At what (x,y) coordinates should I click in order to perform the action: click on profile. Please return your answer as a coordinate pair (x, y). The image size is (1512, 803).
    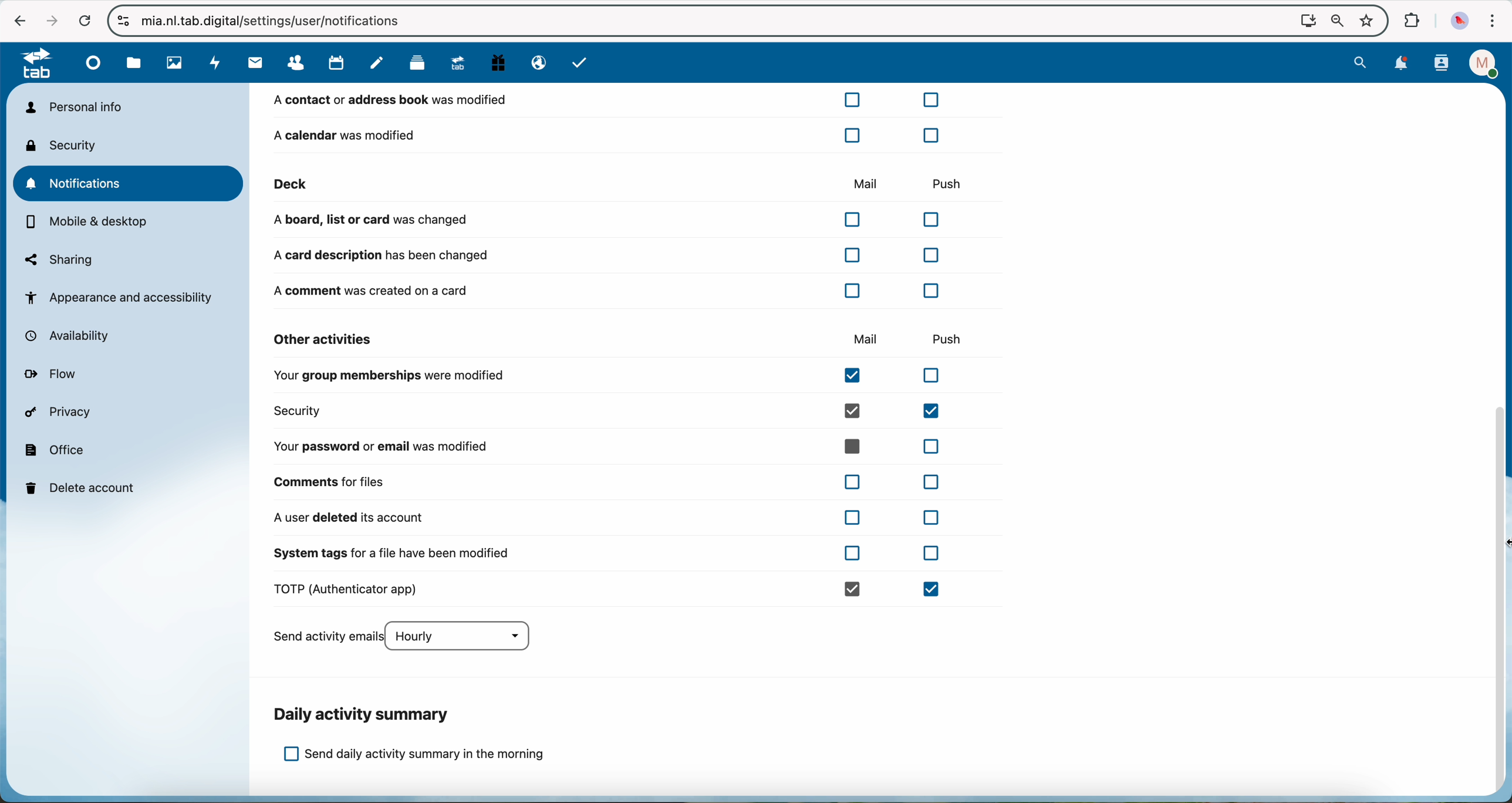
    Looking at the image, I should click on (1480, 63).